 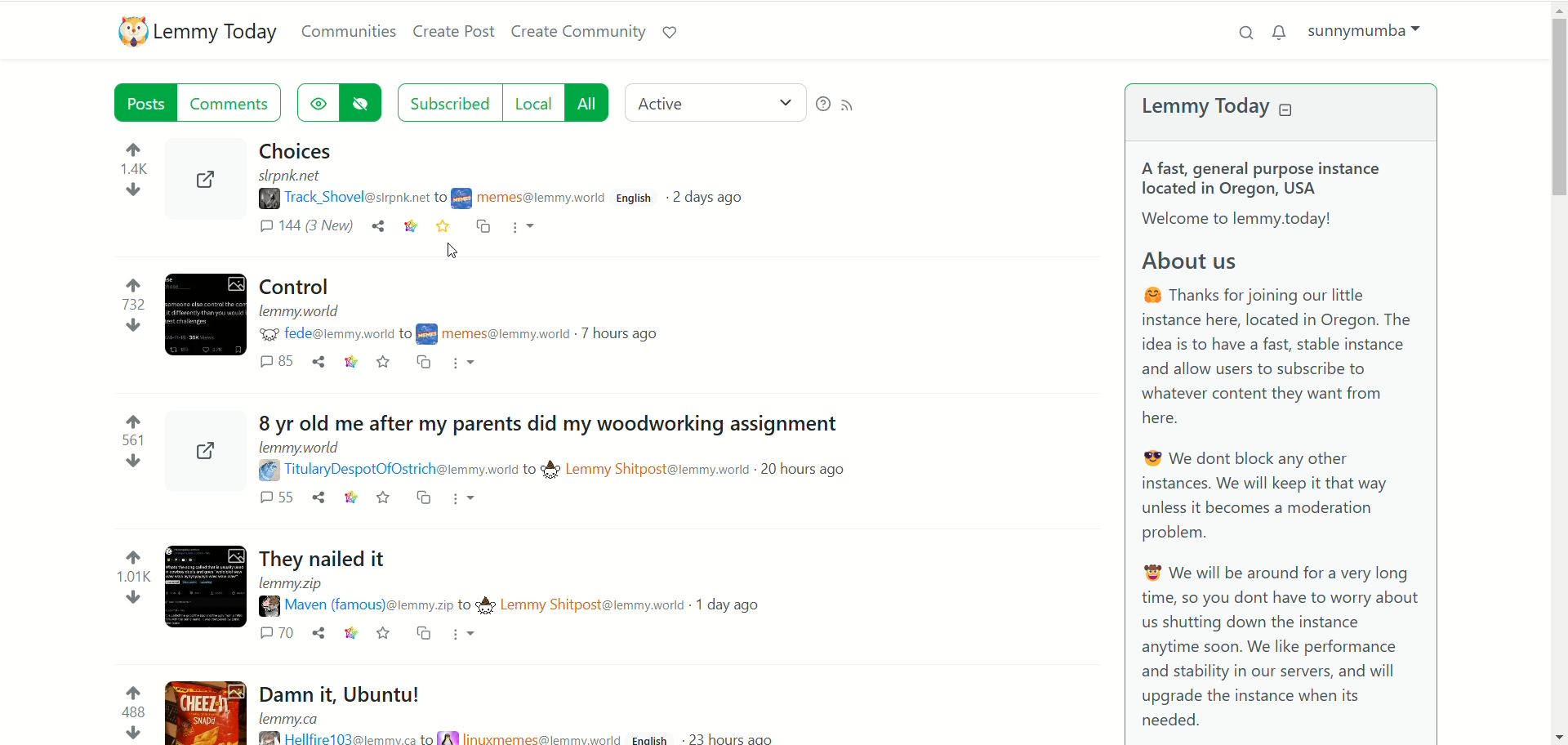 I want to click on hide posts, so click(x=363, y=105).